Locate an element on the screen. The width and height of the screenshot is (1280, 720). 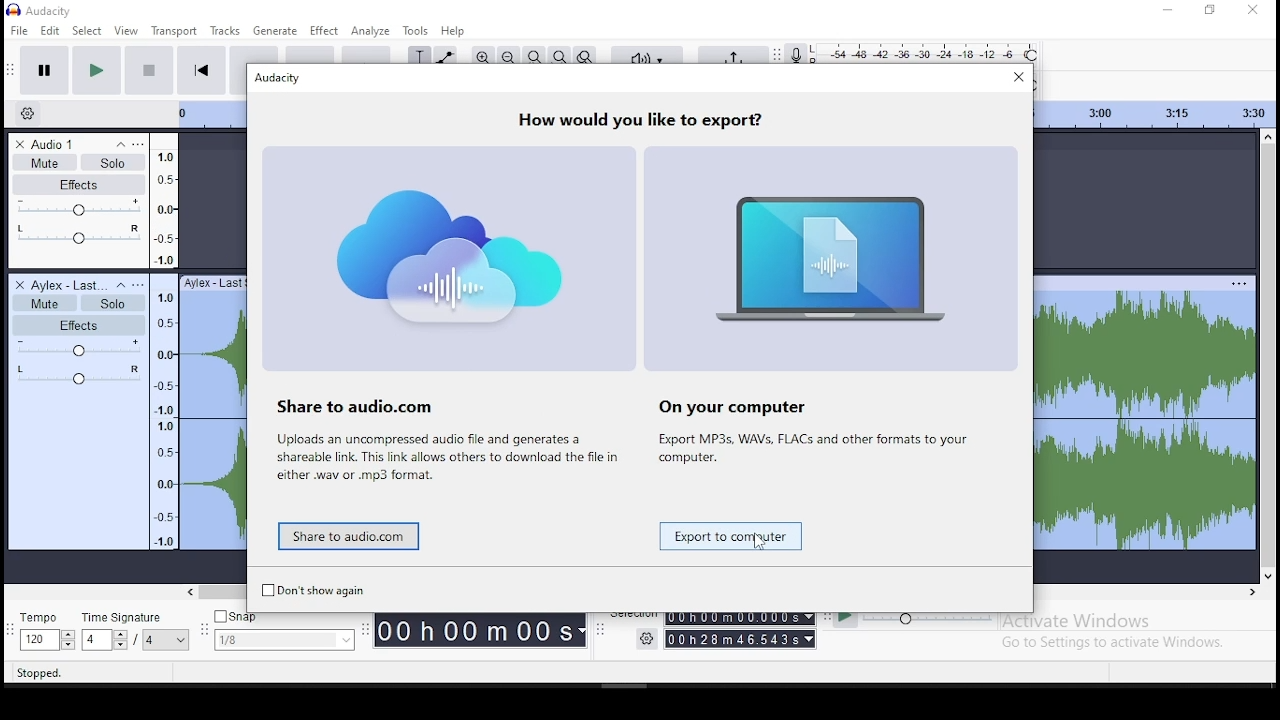
envelope tool is located at coordinates (445, 55).